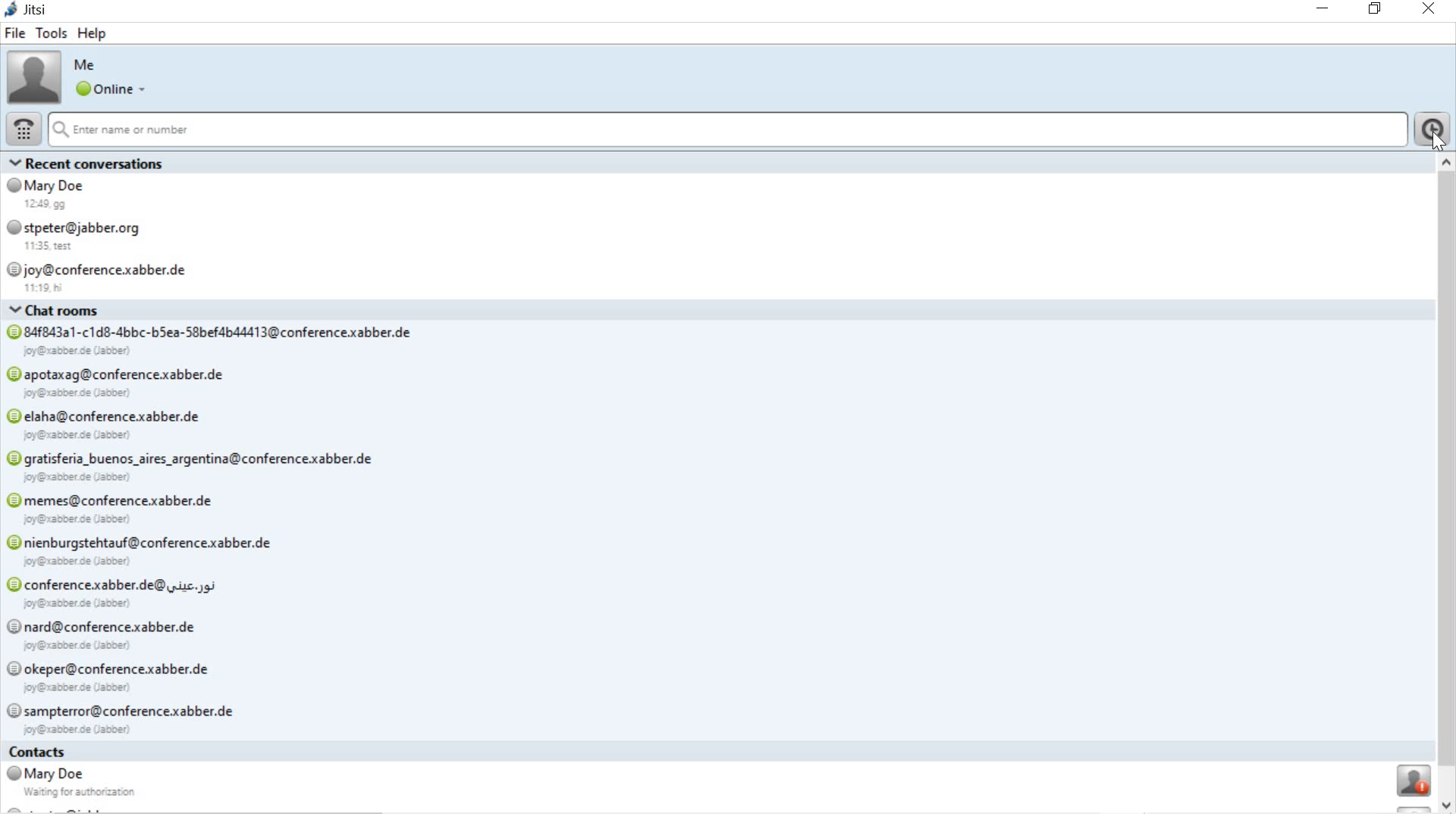 The width and height of the screenshot is (1456, 814). I want to click on cursor position AT click to show call and chat history, so click(1439, 139).